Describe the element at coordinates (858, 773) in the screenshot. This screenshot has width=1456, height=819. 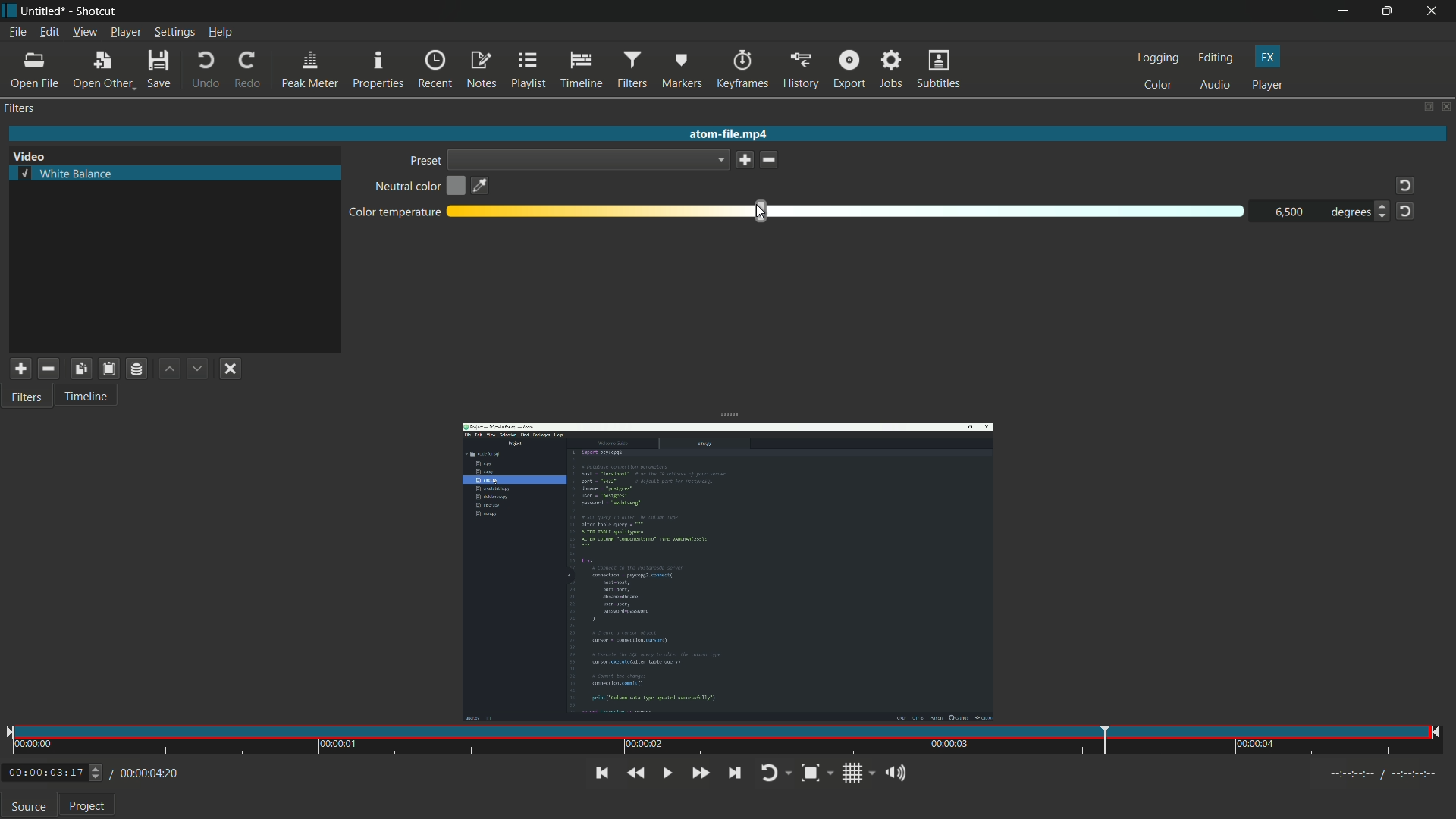
I see `toggle grid` at that location.